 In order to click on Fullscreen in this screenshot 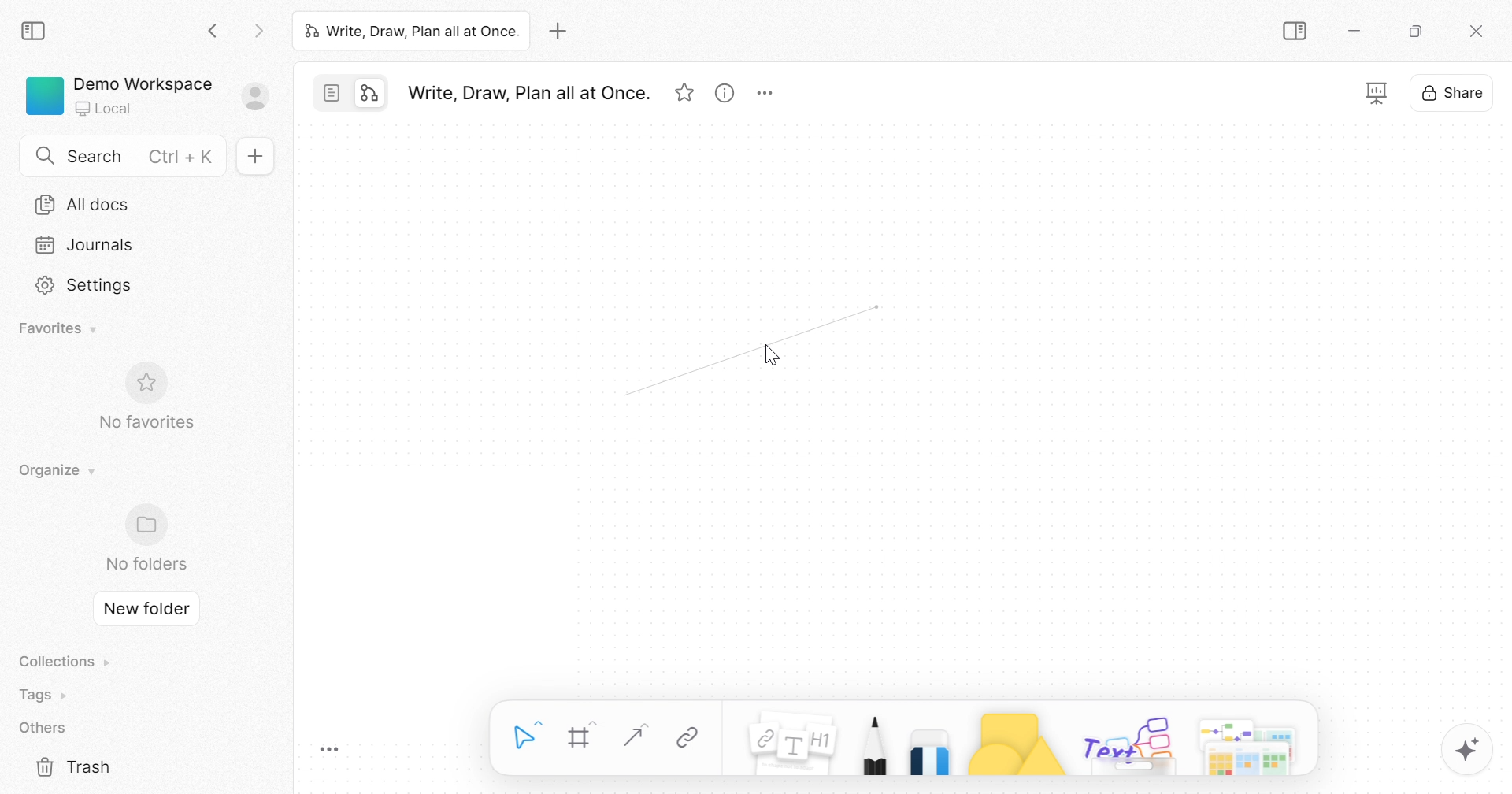, I will do `click(1377, 93)`.